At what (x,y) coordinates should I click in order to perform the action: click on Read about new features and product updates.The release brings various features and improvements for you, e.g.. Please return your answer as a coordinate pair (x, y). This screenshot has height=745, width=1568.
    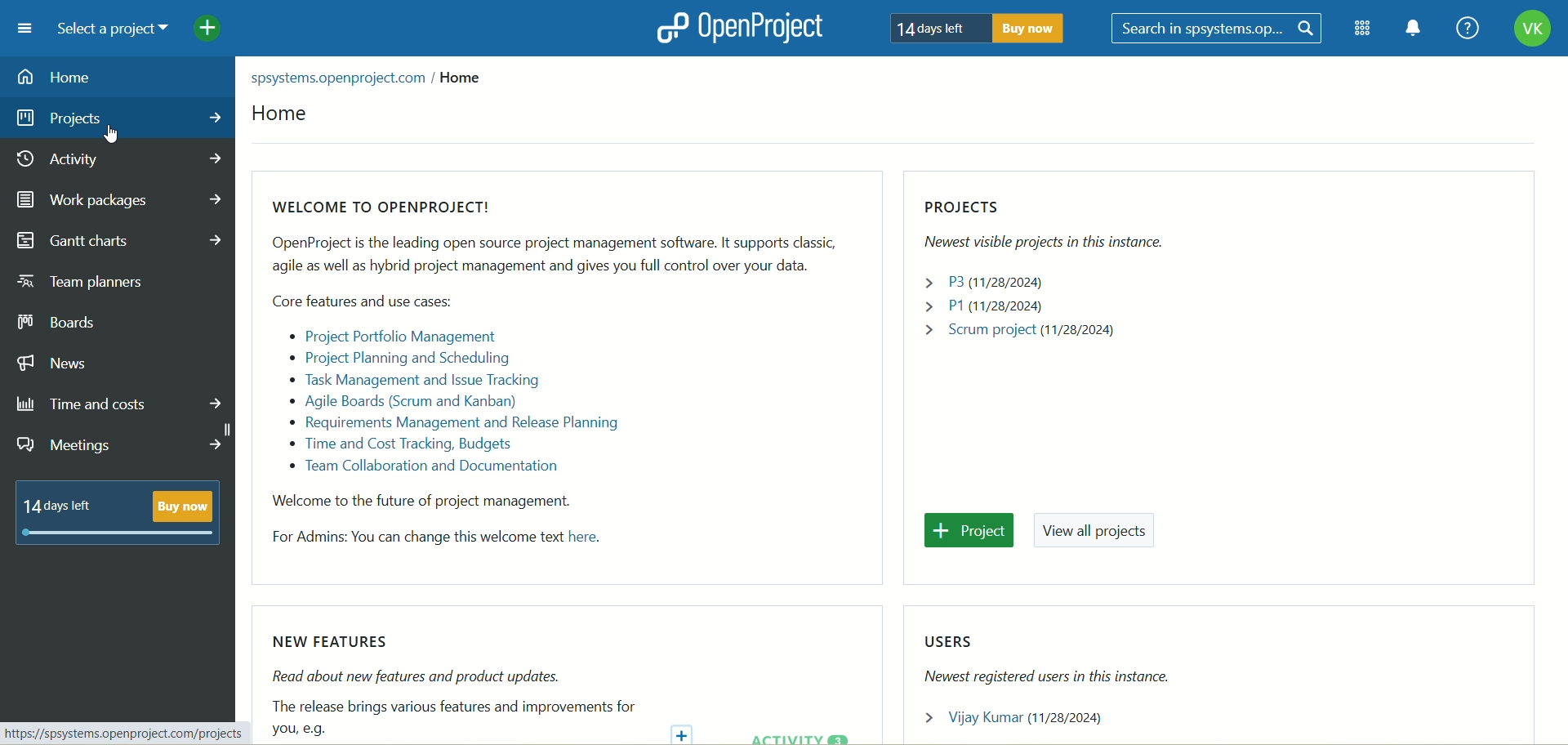
    Looking at the image, I should click on (461, 703).